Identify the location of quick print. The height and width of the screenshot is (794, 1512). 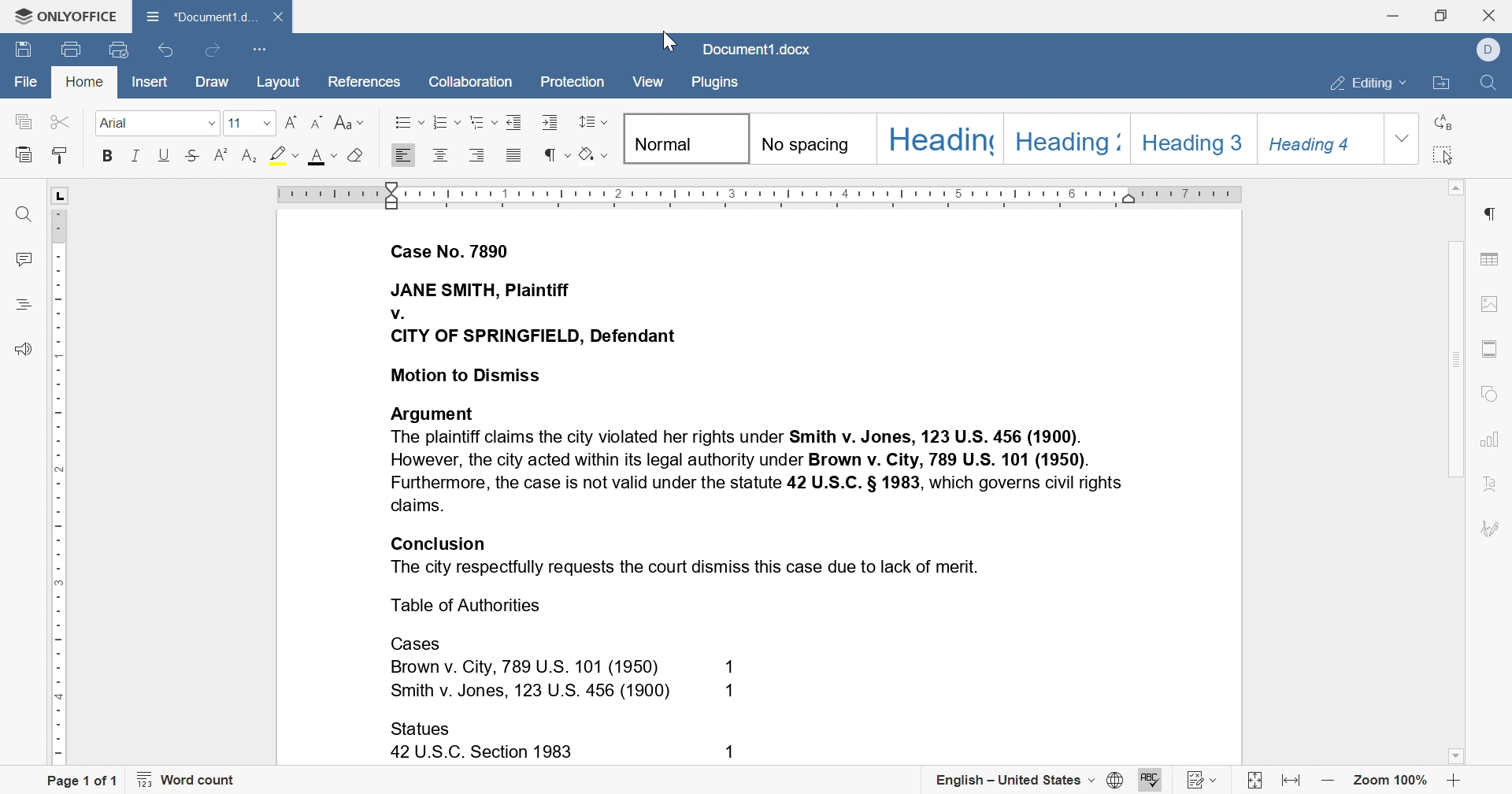
(73, 47).